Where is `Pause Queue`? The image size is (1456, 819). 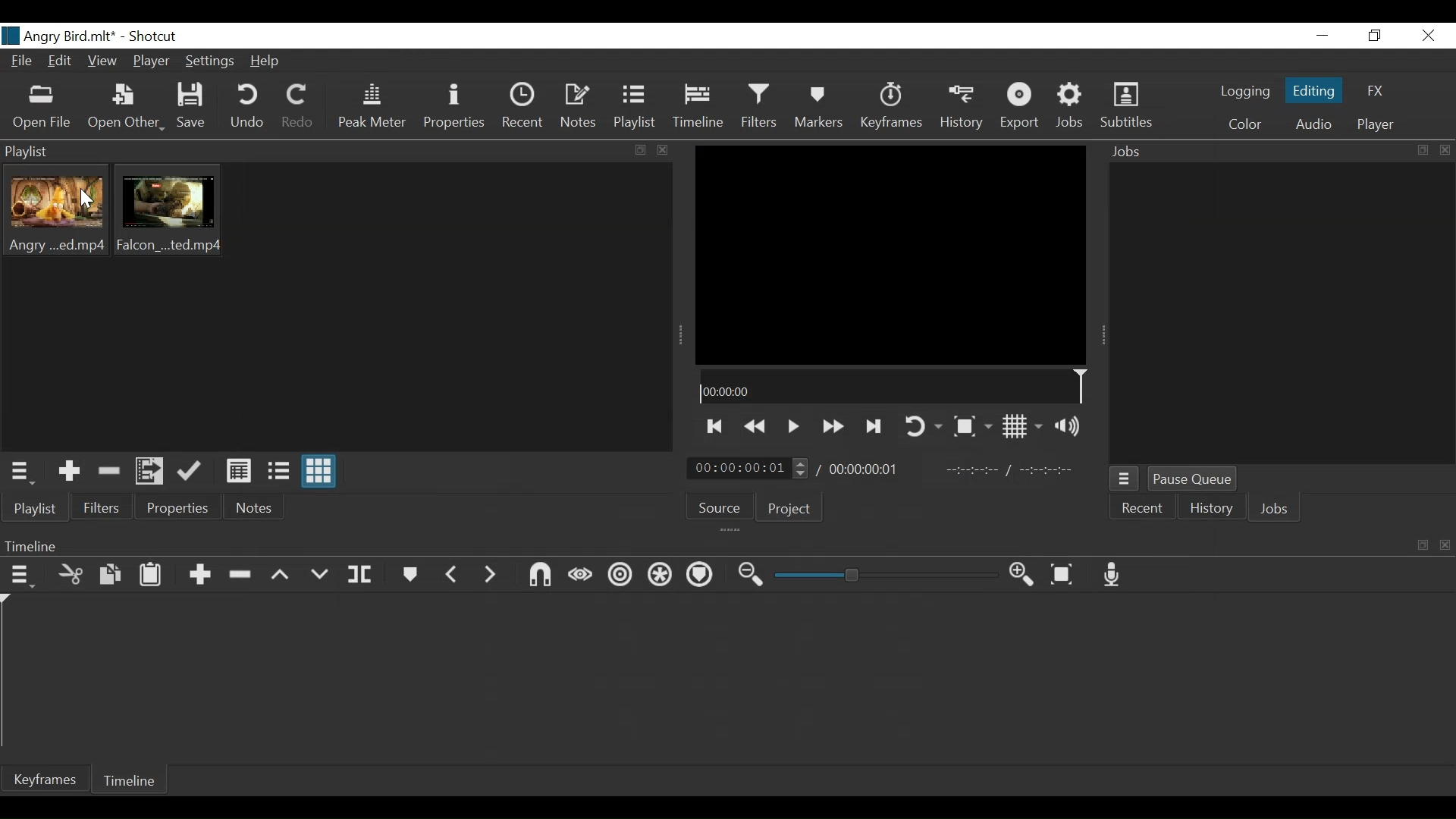
Pause Queue is located at coordinates (1193, 479).